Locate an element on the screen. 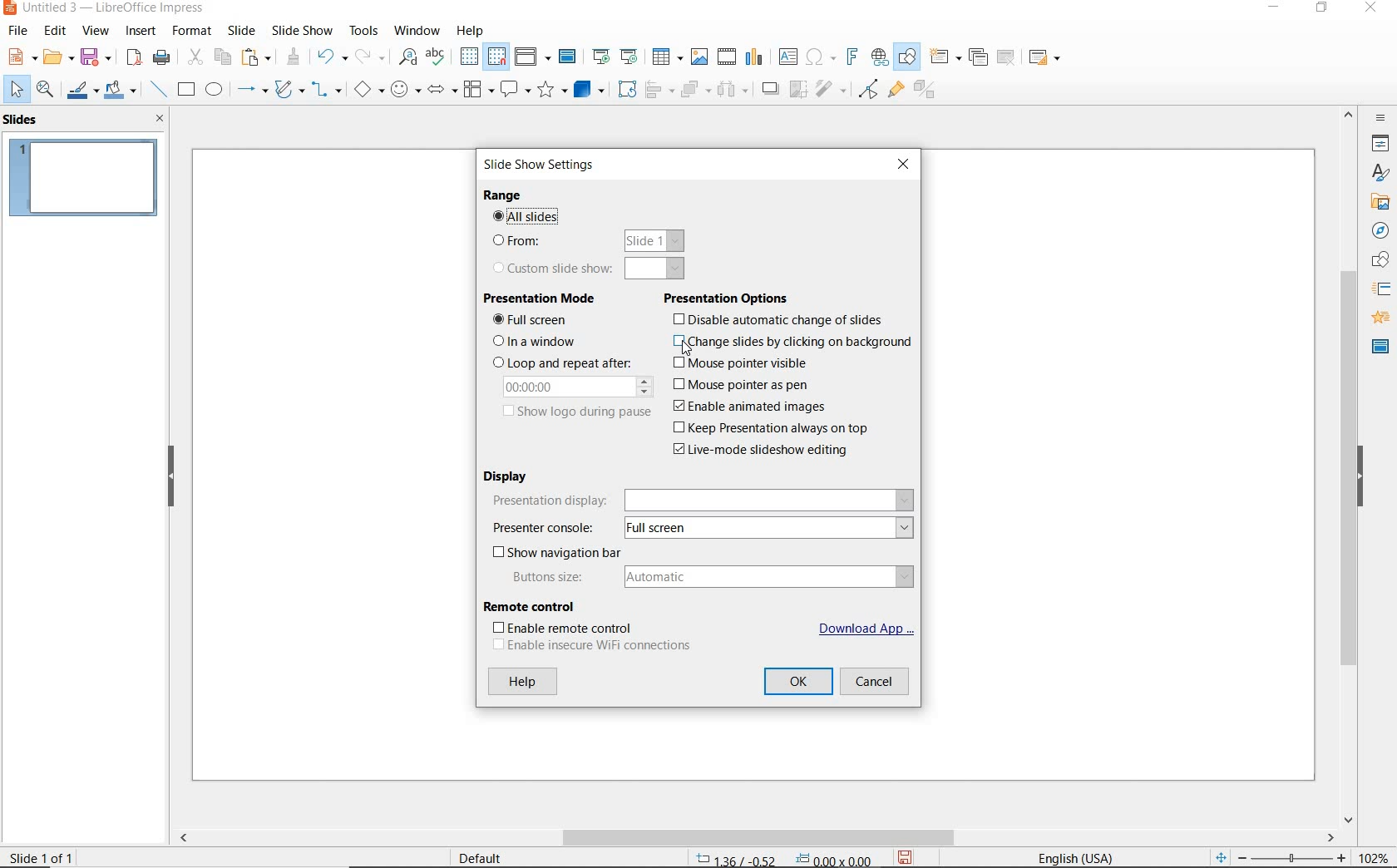 This screenshot has width=1397, height=868. INSERT CHART is located at coordinates (755, 56).